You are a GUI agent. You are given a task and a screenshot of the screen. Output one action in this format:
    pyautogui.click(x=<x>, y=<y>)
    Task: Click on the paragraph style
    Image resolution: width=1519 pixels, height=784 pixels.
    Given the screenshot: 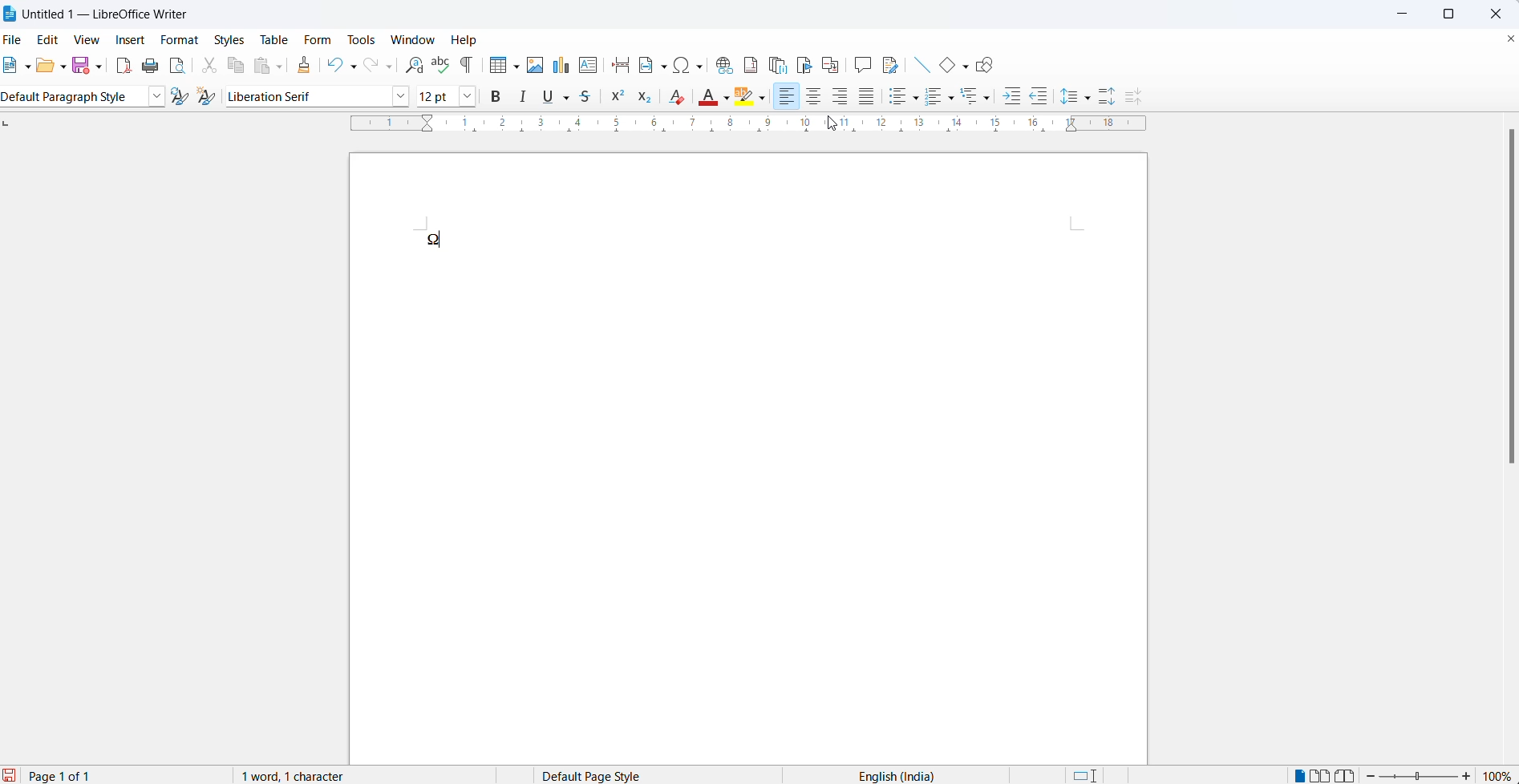 What is the action you would take?
    pyautogui.click(x=68, y=98)
    